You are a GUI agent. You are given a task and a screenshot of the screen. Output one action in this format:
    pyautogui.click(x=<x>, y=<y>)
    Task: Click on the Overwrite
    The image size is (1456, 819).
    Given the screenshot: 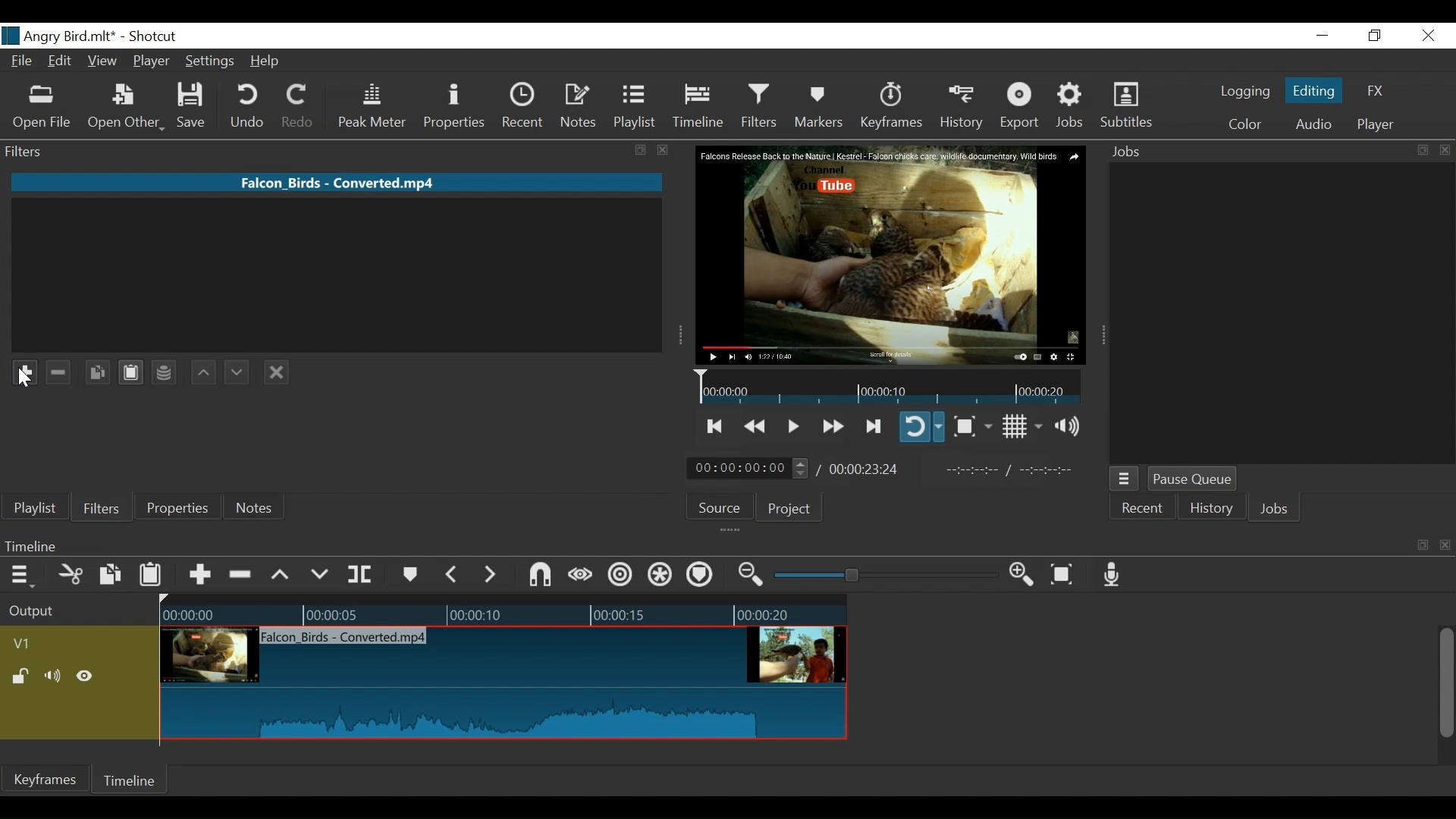 What is the action you would take?
    pyautogui.click(x=320, y=575)
    